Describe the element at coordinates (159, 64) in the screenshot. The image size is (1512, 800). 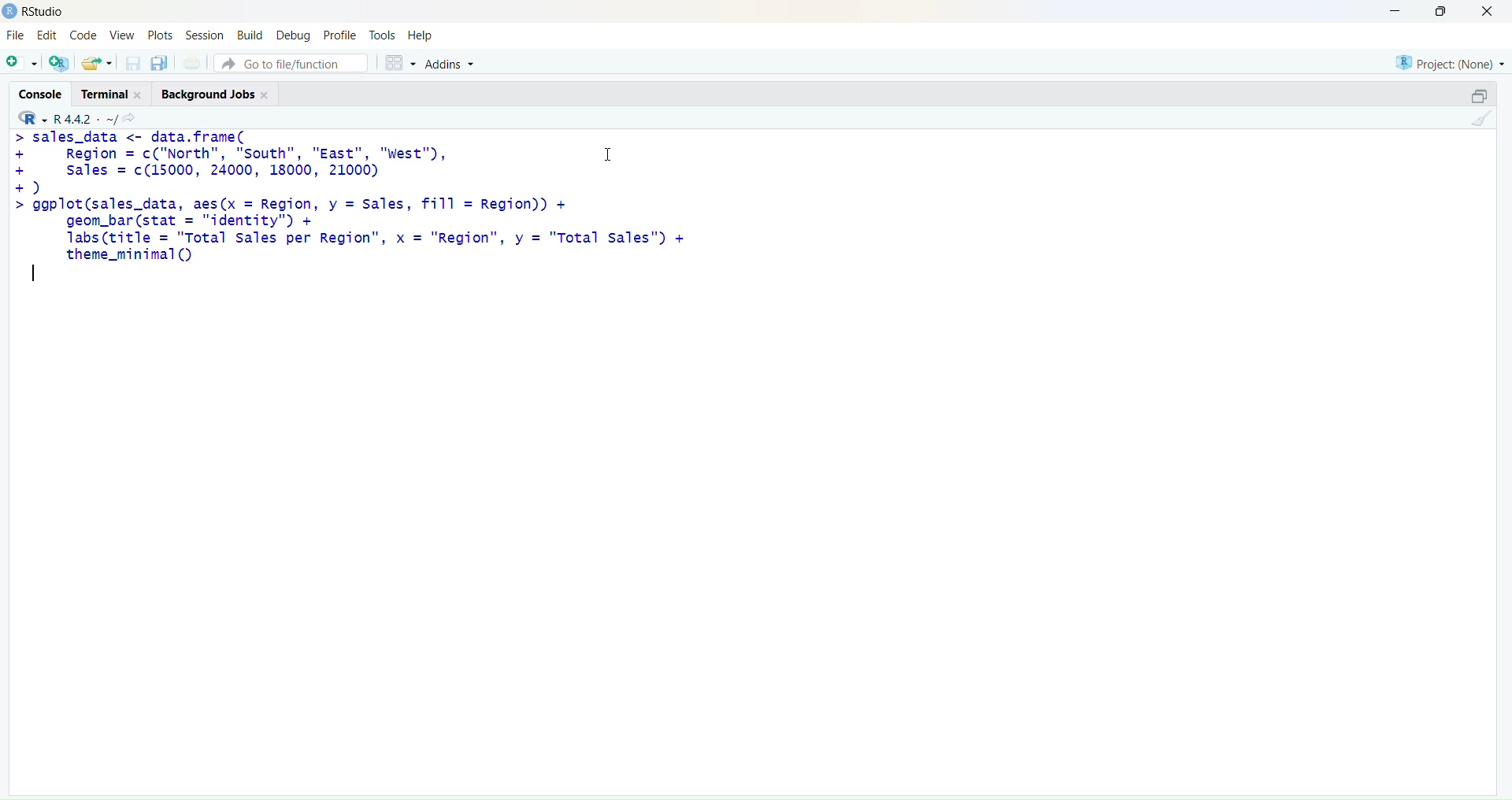
I see `save as` at that location.